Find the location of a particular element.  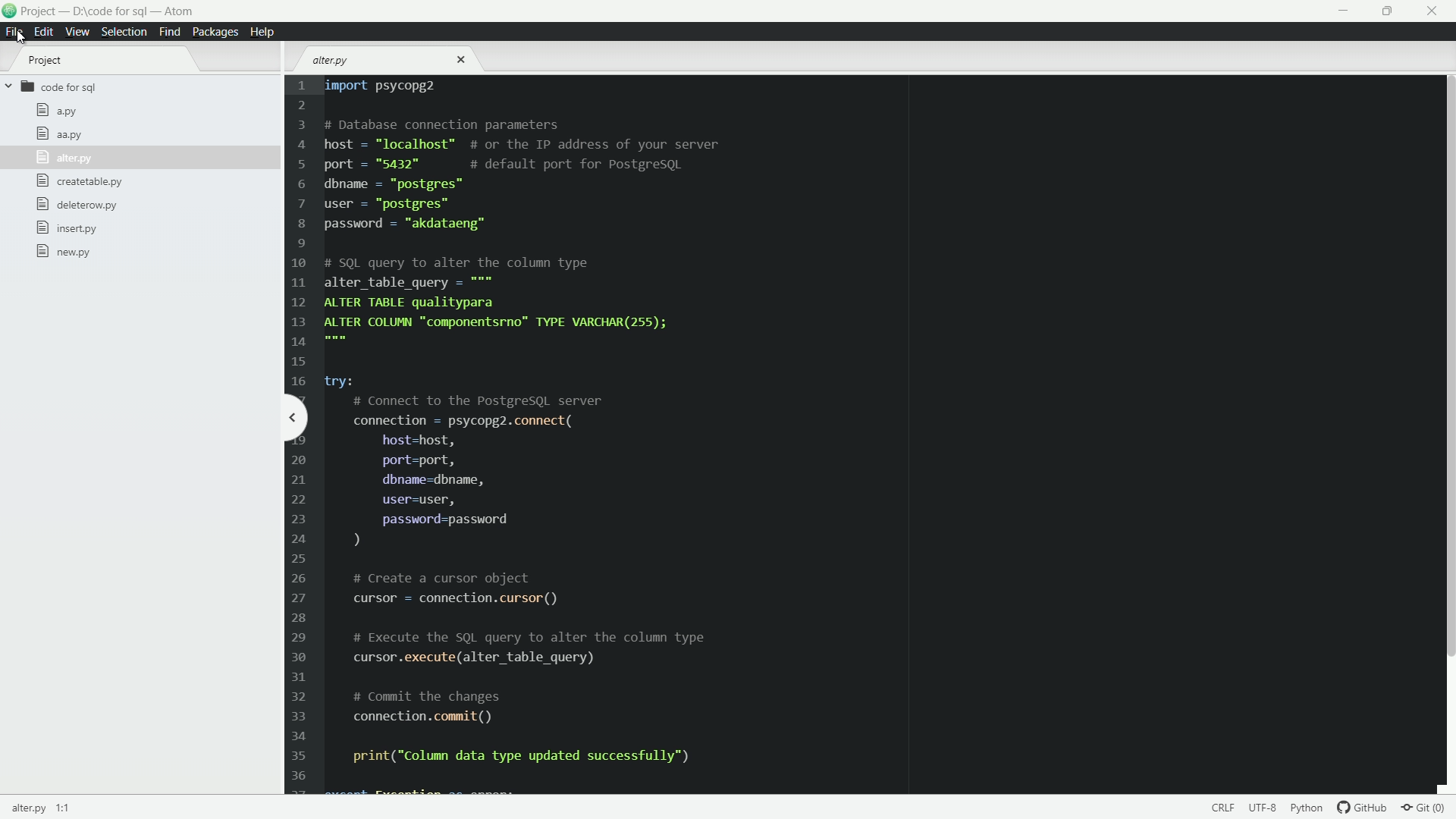

maximize or restore is located at coordinates (1389, 11).